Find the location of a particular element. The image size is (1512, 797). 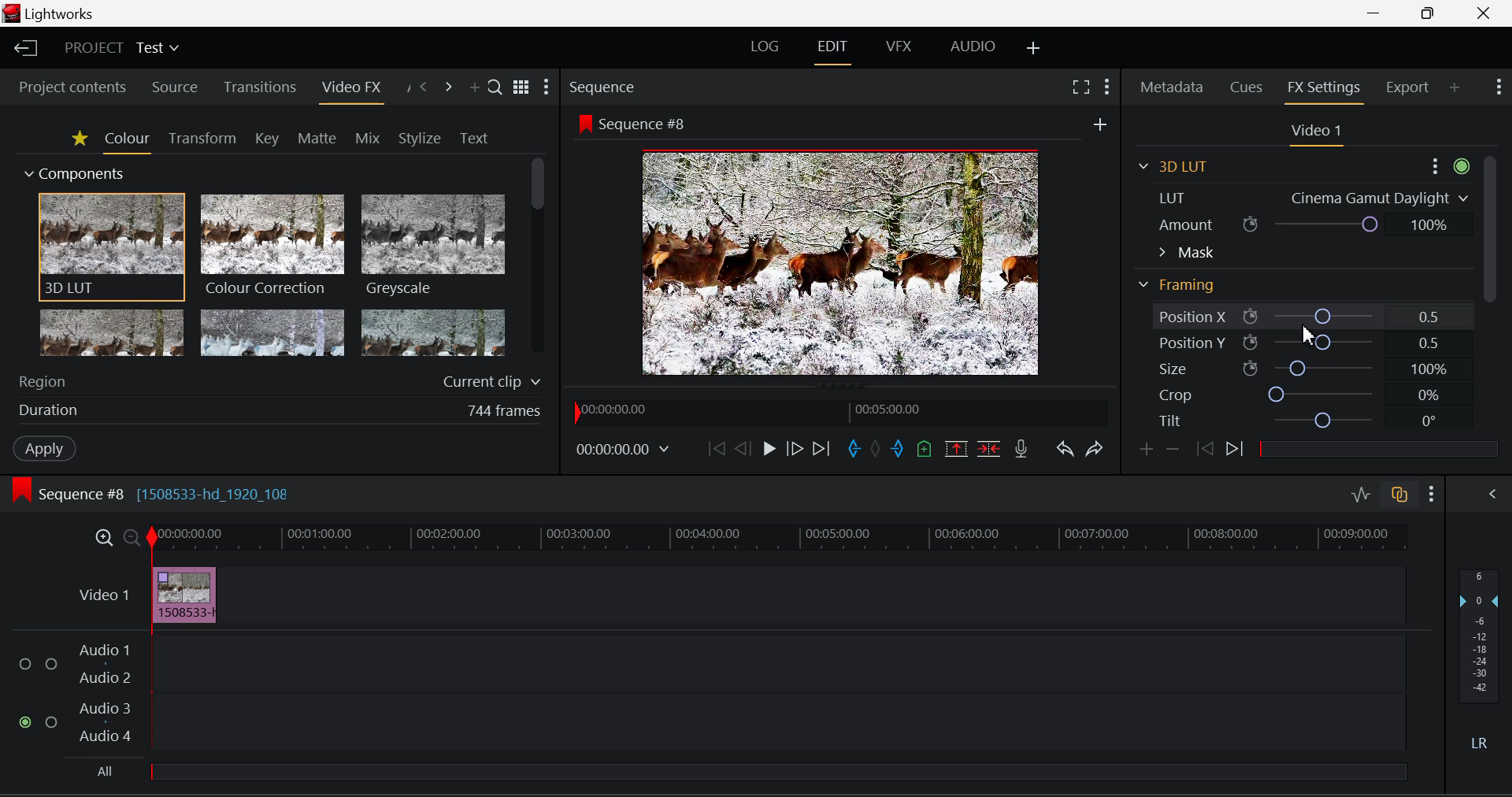

Mask is located at coordinates (1185, 254).